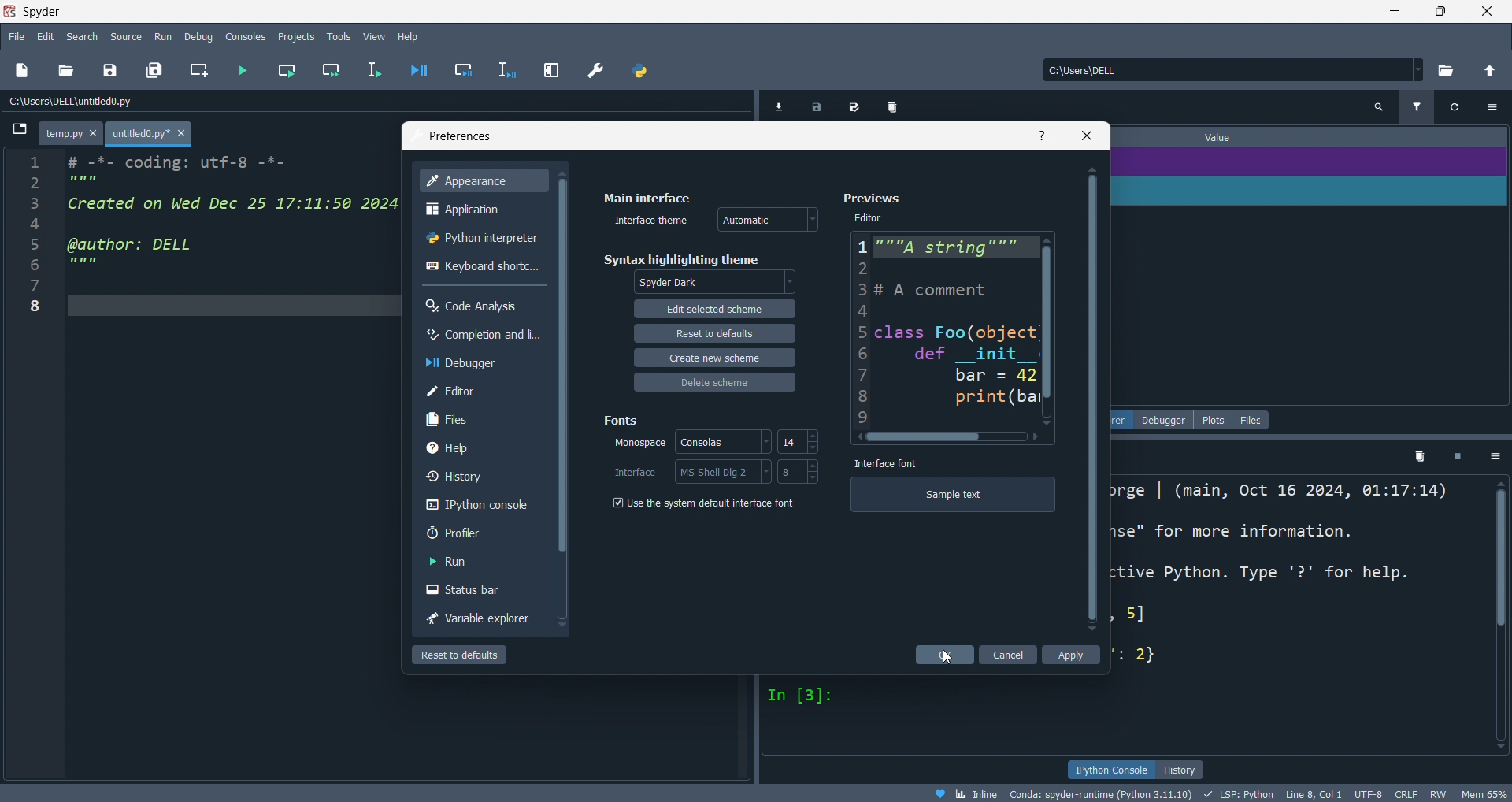  What do you see at coordinates (1446, 70) in the screenshot?
I see `select directory` at bounding box center [1446, 70].